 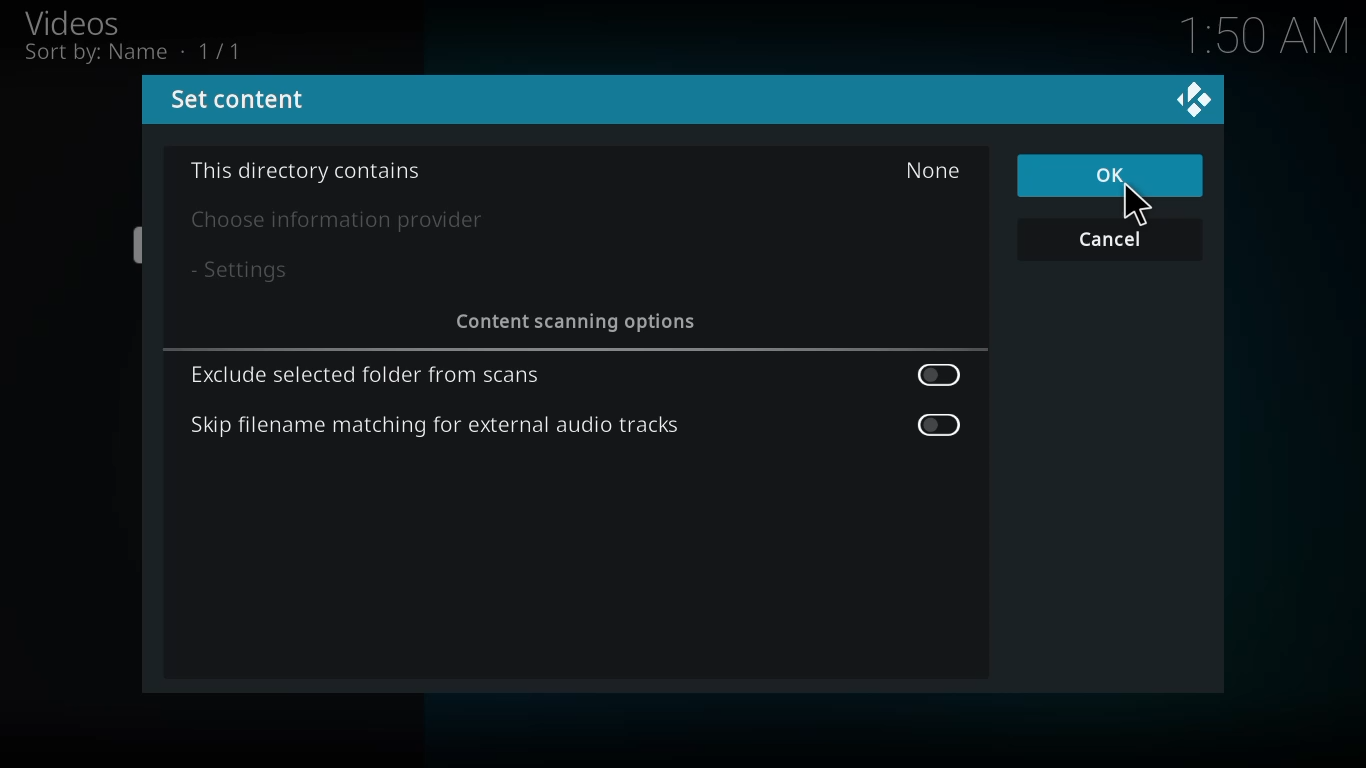 What do you see at coordinates (585, 321) in the screenshot?
I see `content scanning options` at bounding box center [585, 321].